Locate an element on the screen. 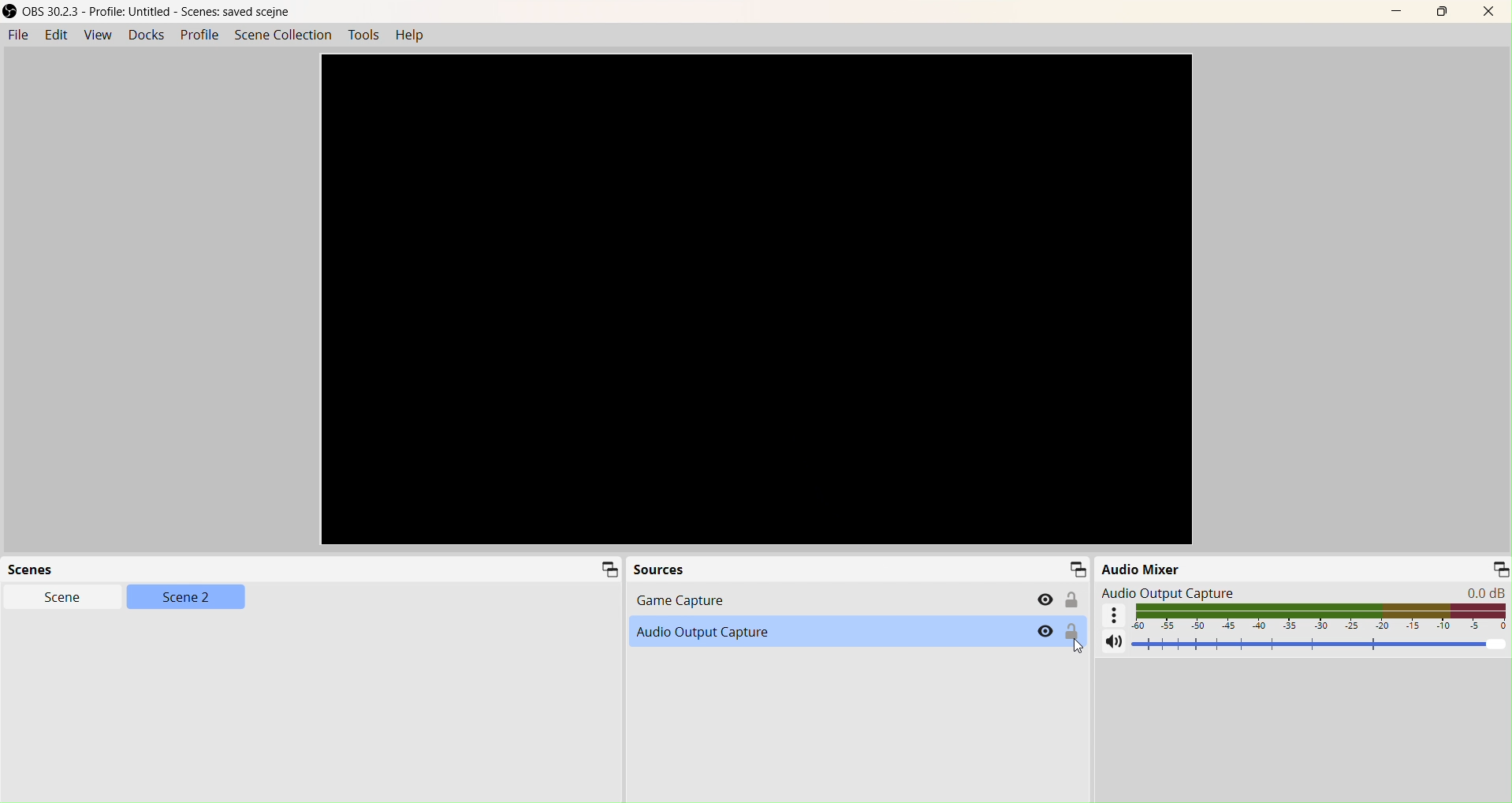  File is located at coordinates (19, 36).